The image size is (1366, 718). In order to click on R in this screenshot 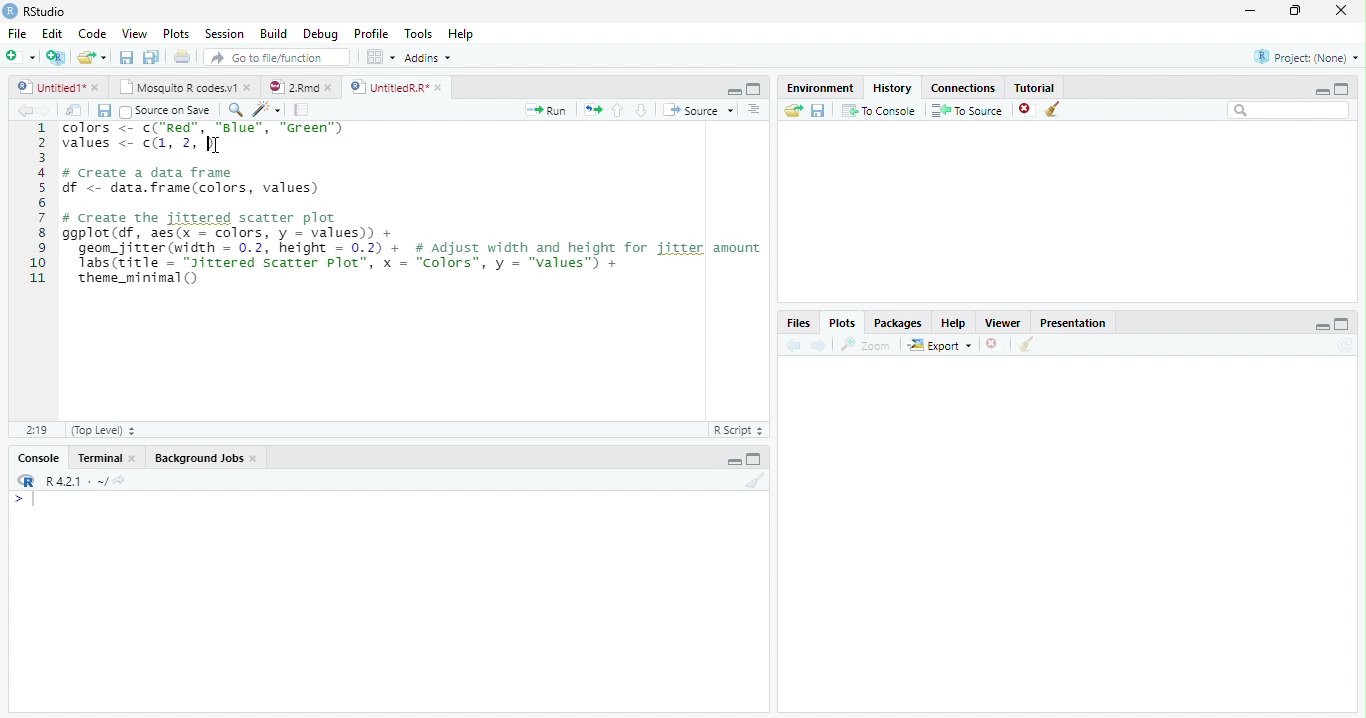, I will do `click(25, 481)`.